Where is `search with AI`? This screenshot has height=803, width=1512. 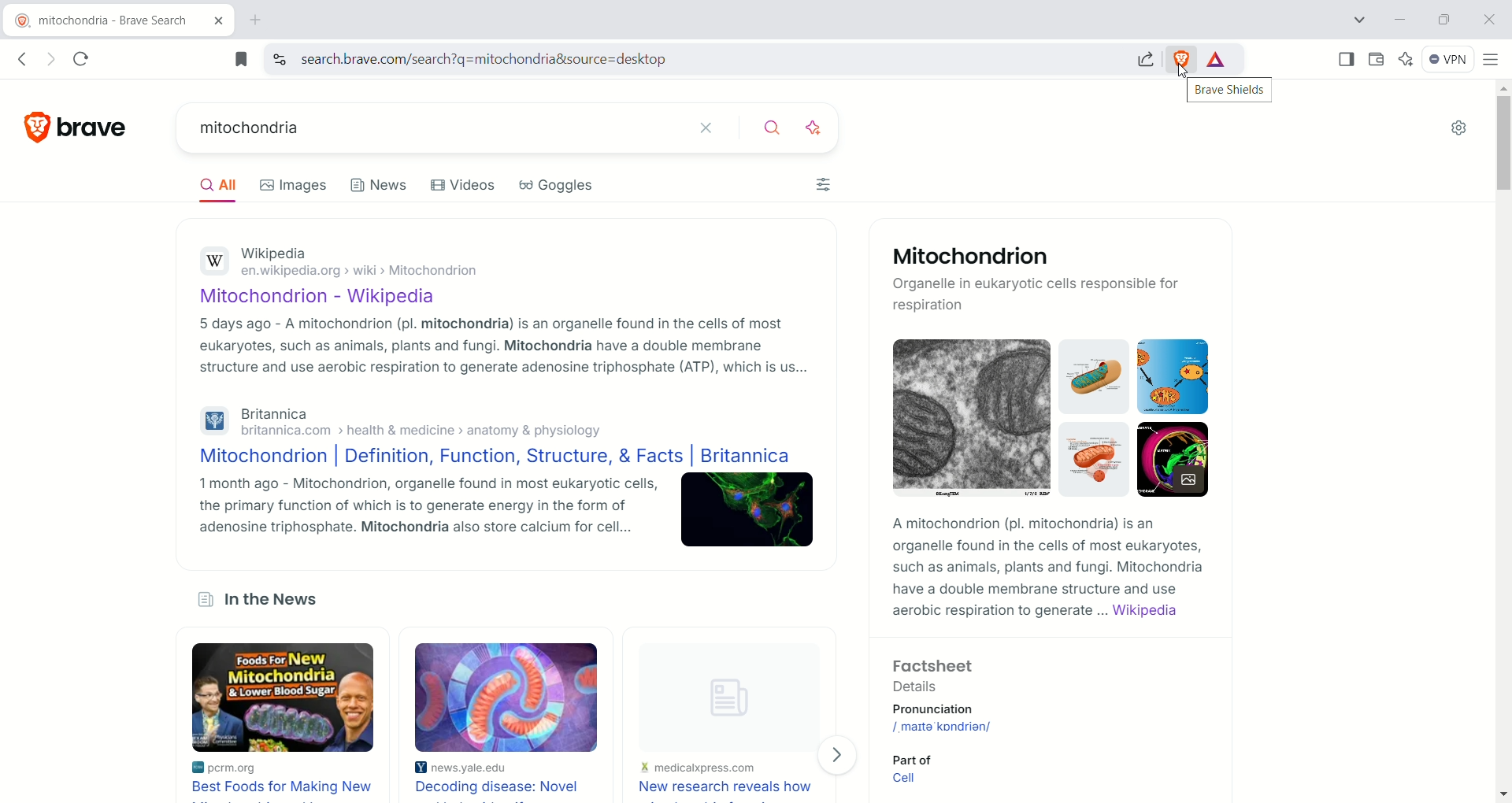
search with AI is located at coordinates (813, 130).